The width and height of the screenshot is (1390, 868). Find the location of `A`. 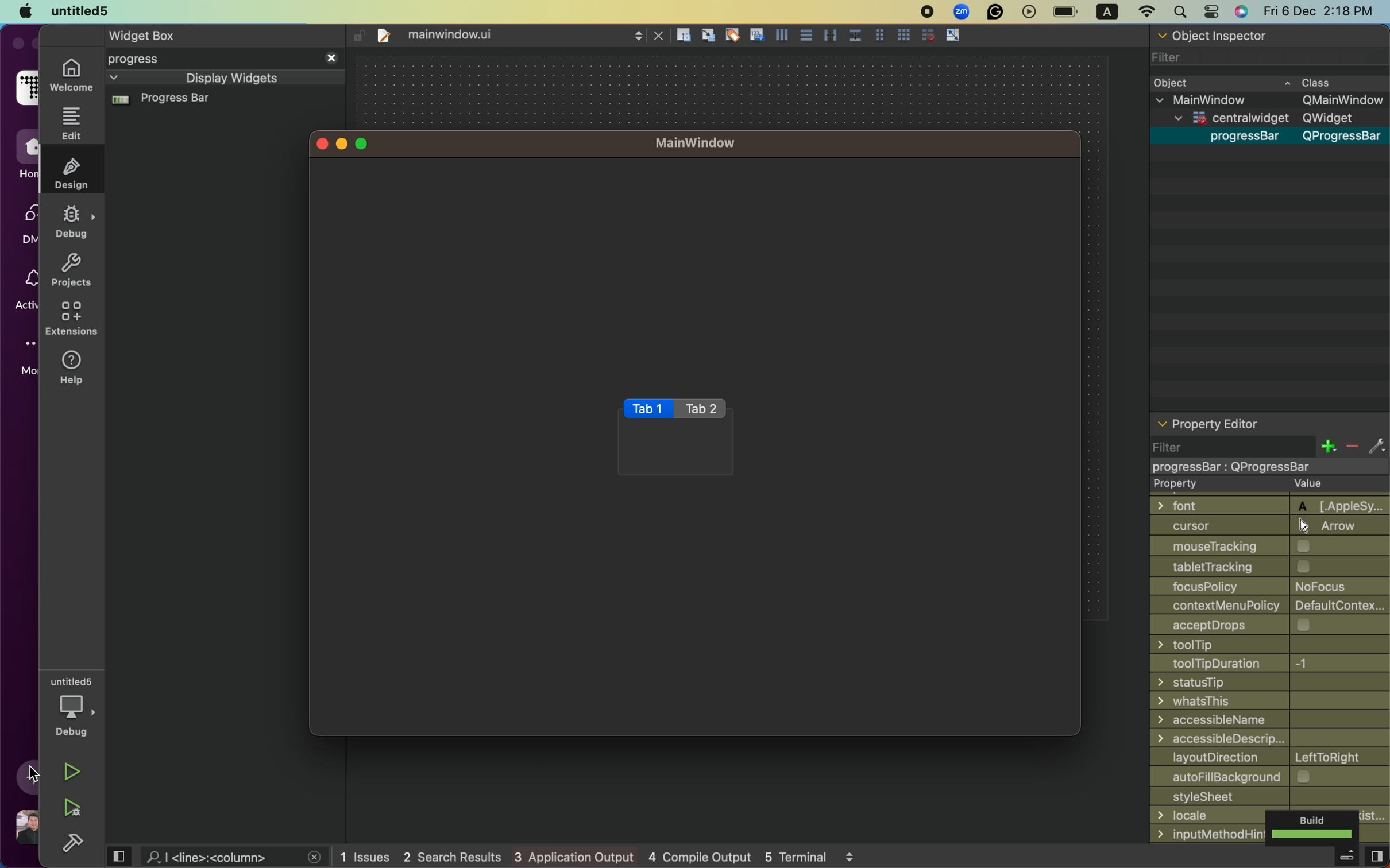

A is located at coordinates (1107, 11).